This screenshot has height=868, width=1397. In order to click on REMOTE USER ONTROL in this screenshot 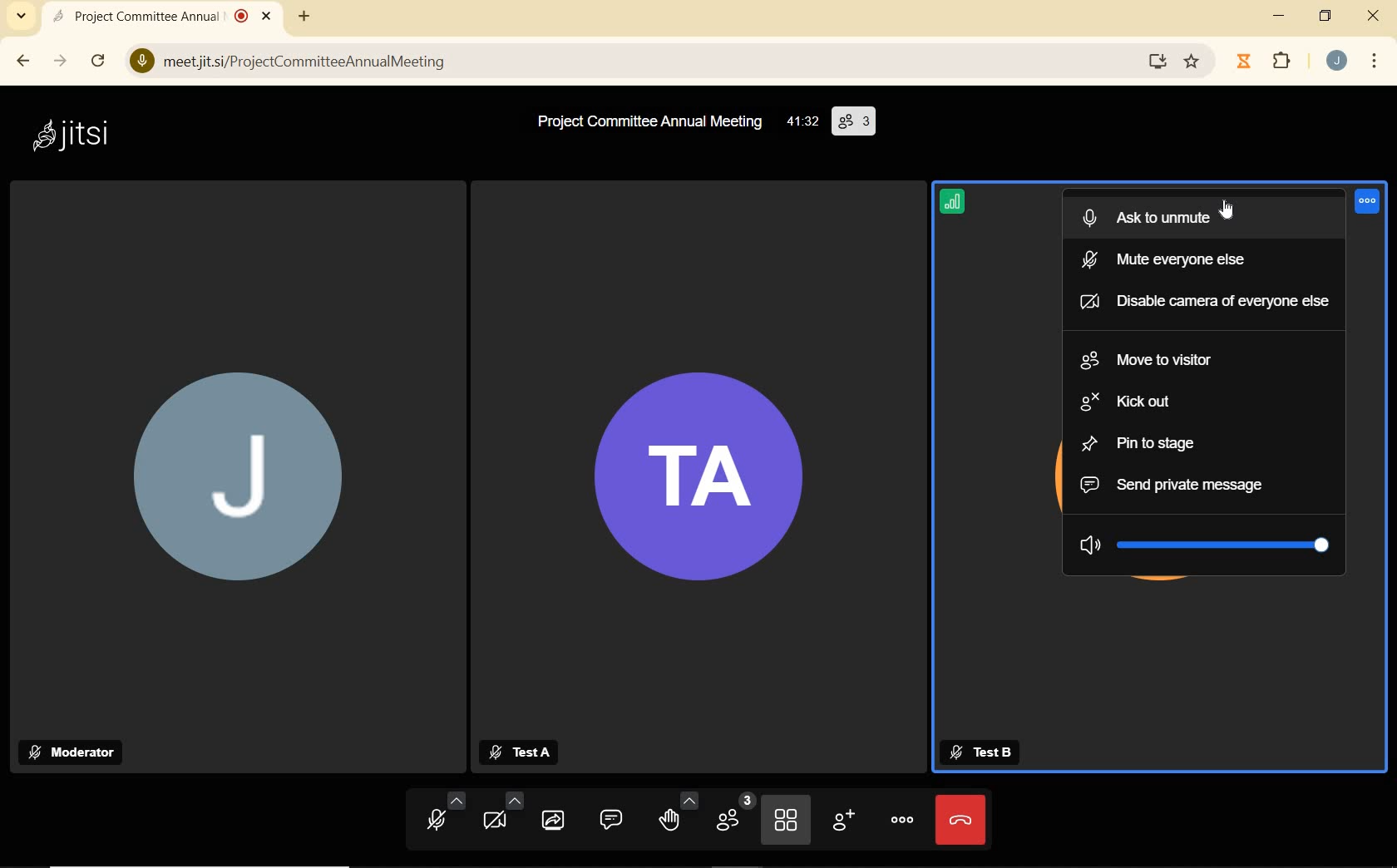, I will do `click(1370, 205)`.